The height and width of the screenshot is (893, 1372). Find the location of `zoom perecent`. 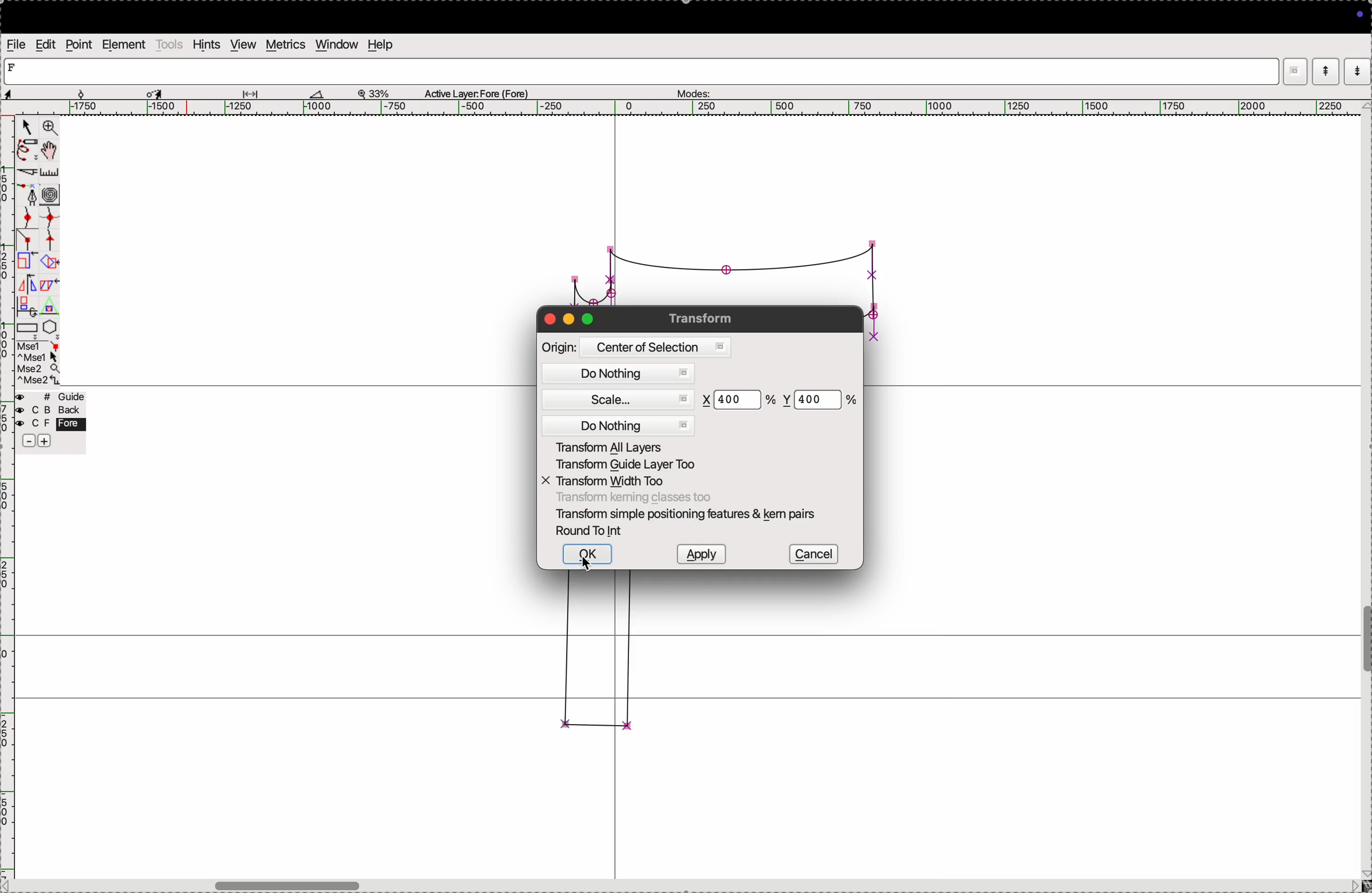

zoom perecent is located at coordinates (374, 92).